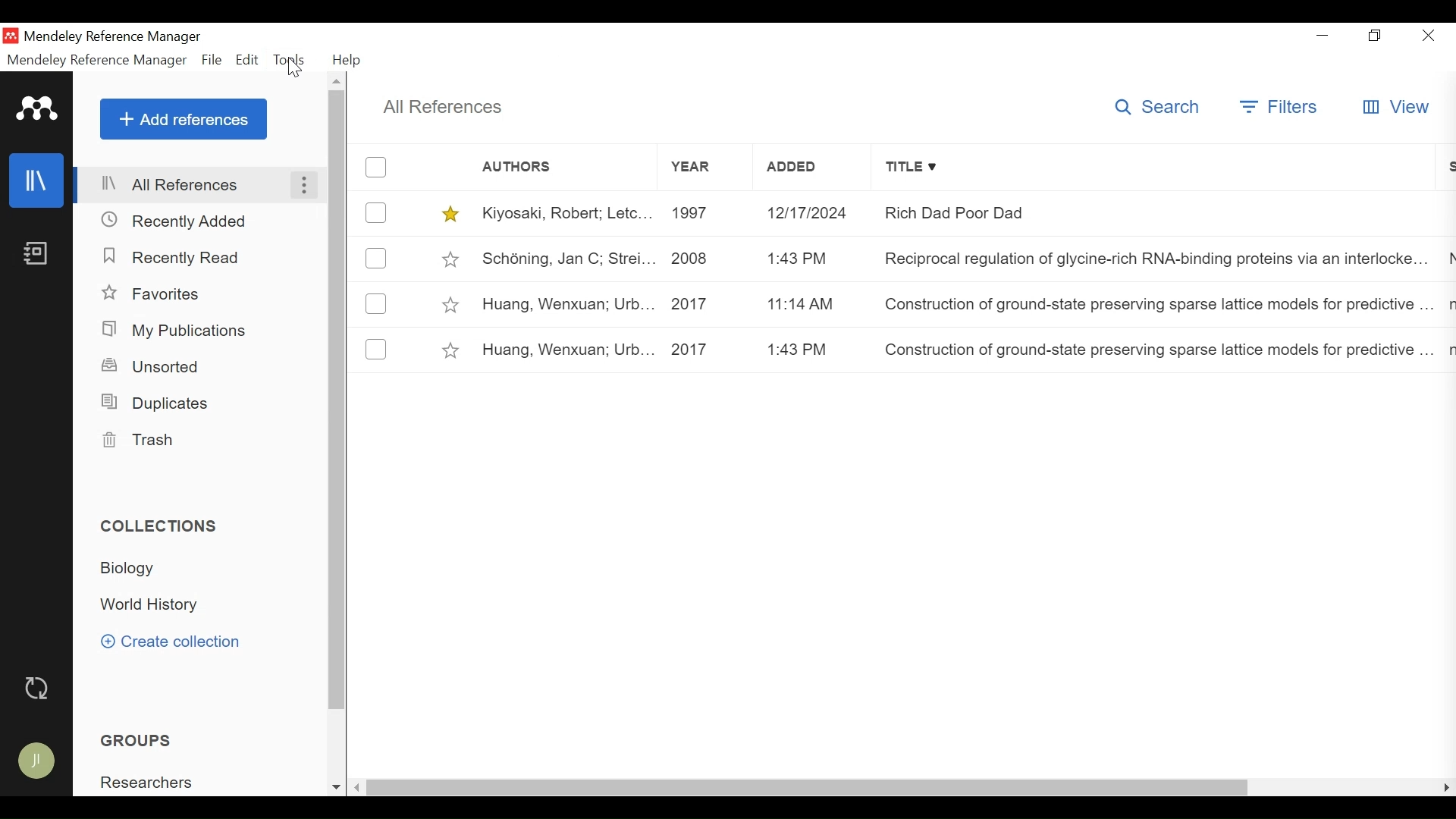 The image size is (1456, 819). What do you see at coordinates (544, 168) in the screenshot?
I see `Authors` at bounding box center [544, 168].